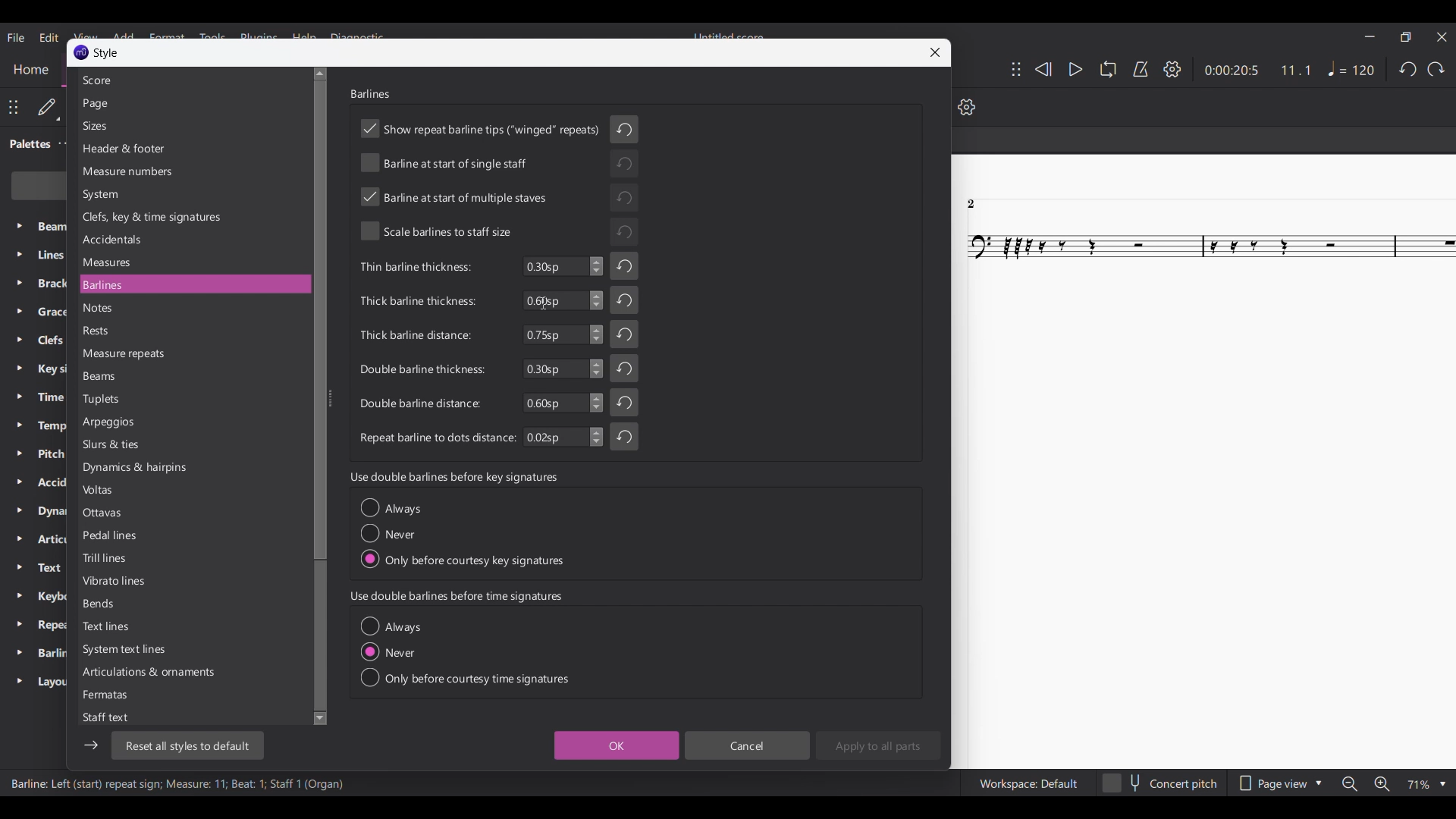 The image size is (1456, 819). Describe the element at coordinates (1351, 68) in the screenshot. I see `Tempo` at that location.